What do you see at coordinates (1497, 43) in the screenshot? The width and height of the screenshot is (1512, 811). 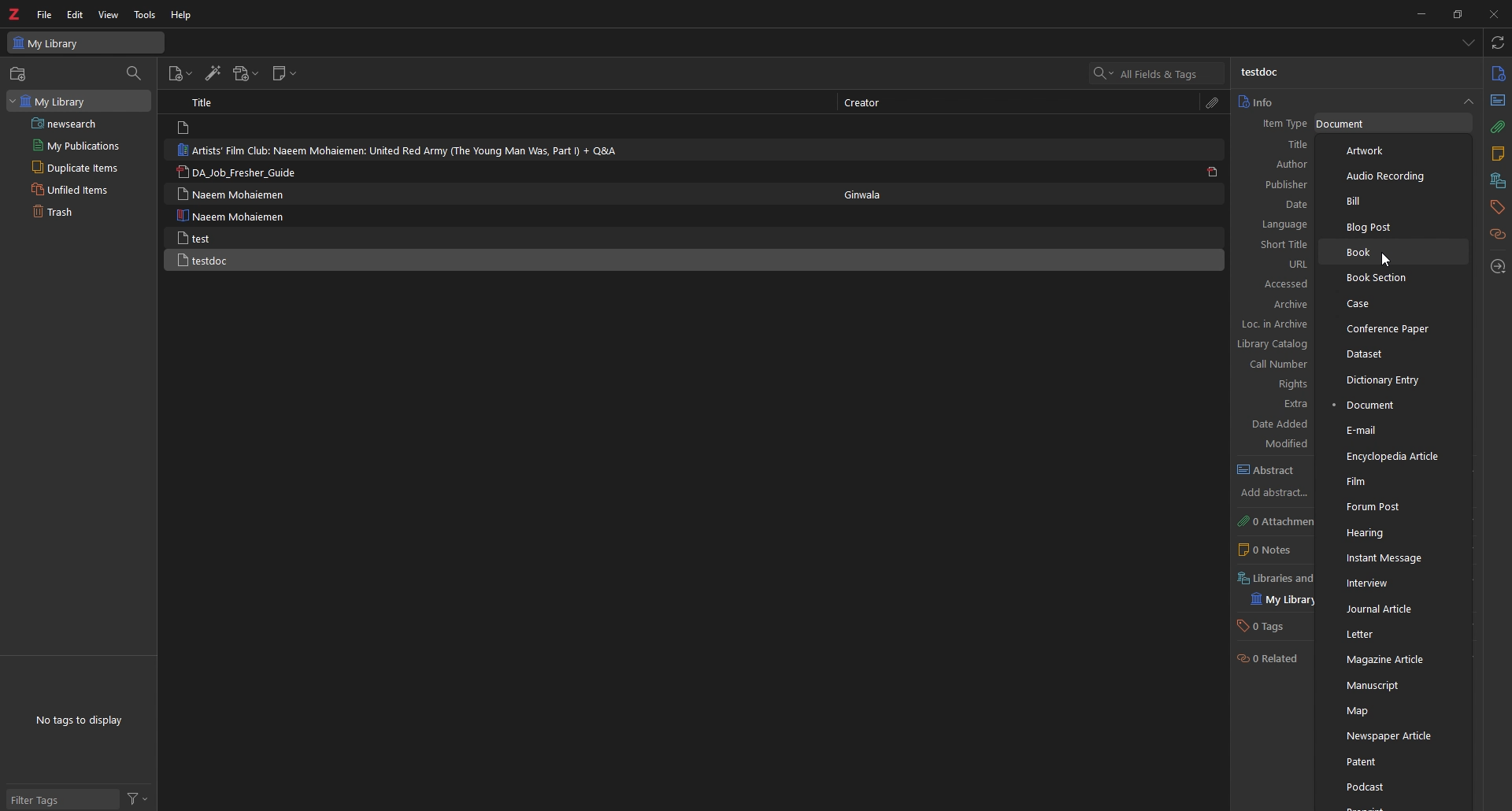 I see `sync with zotero.org` at bounding box center [1497, 43].